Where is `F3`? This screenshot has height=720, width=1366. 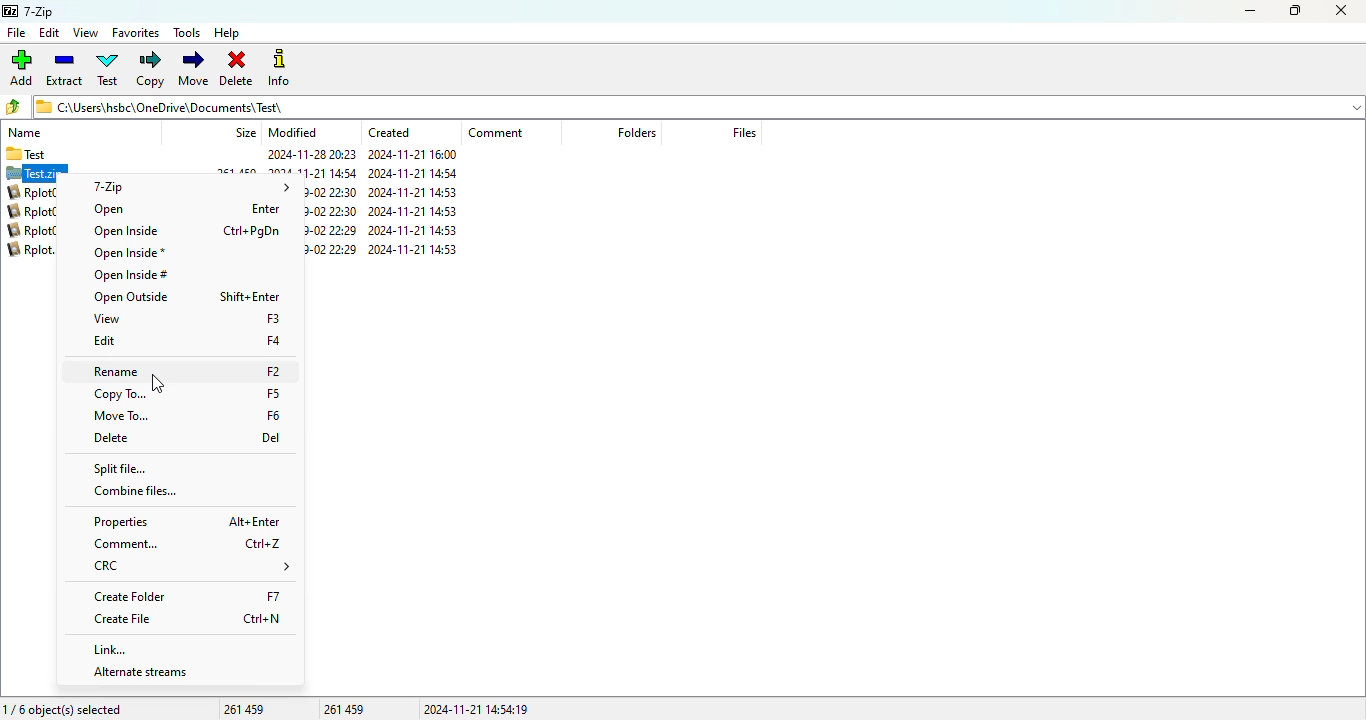
F3 is located at coordinates (275, 319).